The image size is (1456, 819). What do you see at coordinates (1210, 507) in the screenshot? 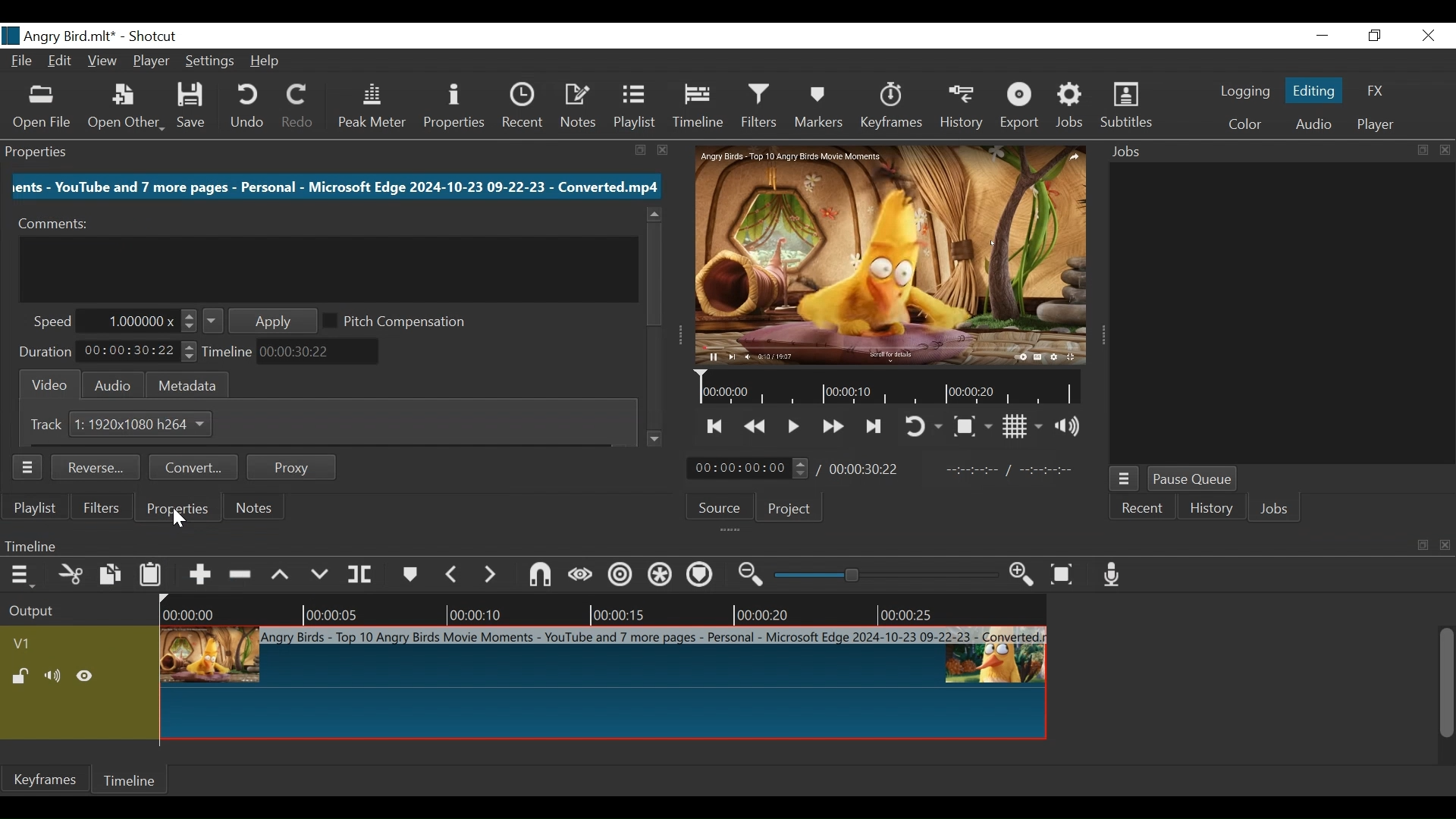
I see `History` at bounding box center [1210, 507].